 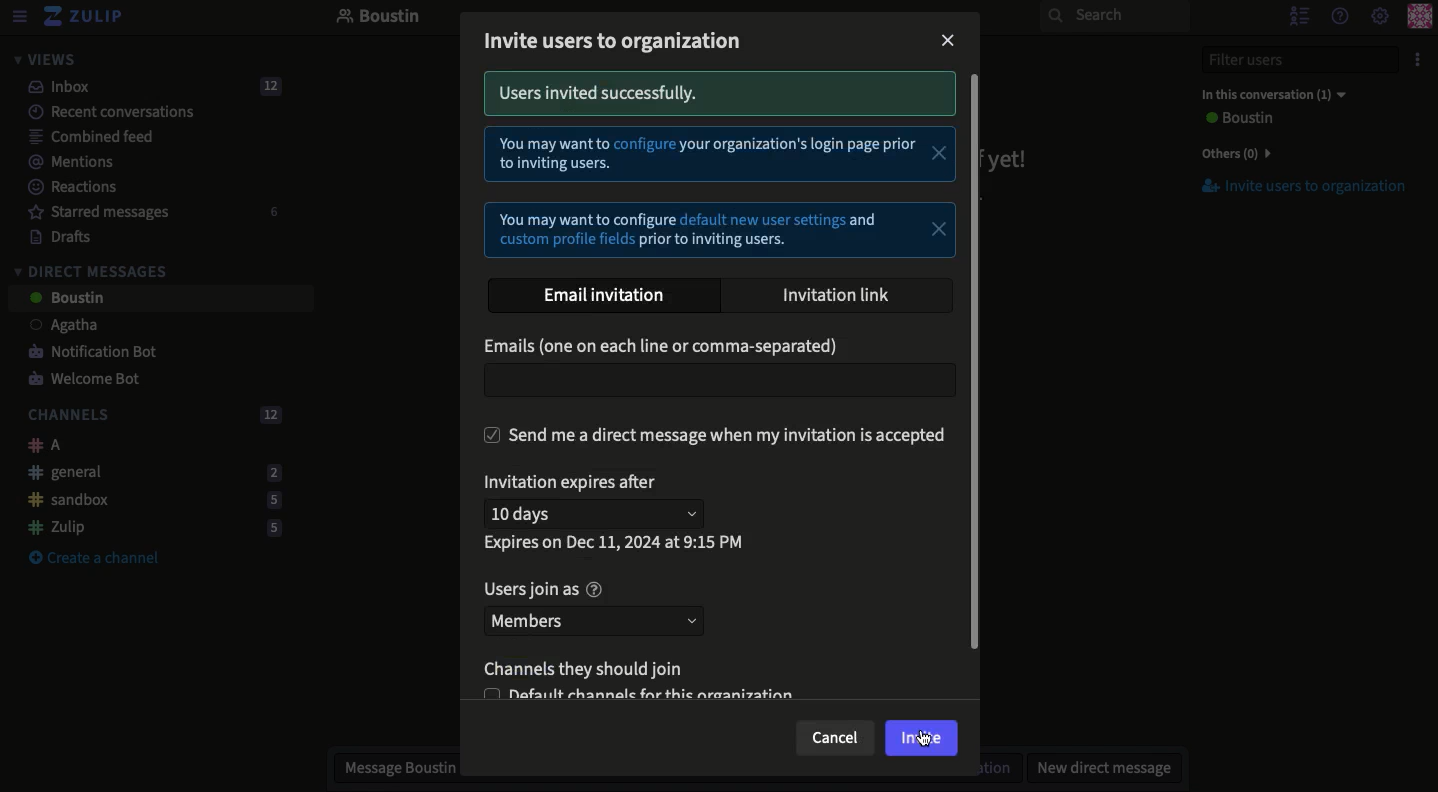 What do you see at coordinates (1380, 17) in the screenshot?
I see `Settings` at bounding box center [1380, 17].